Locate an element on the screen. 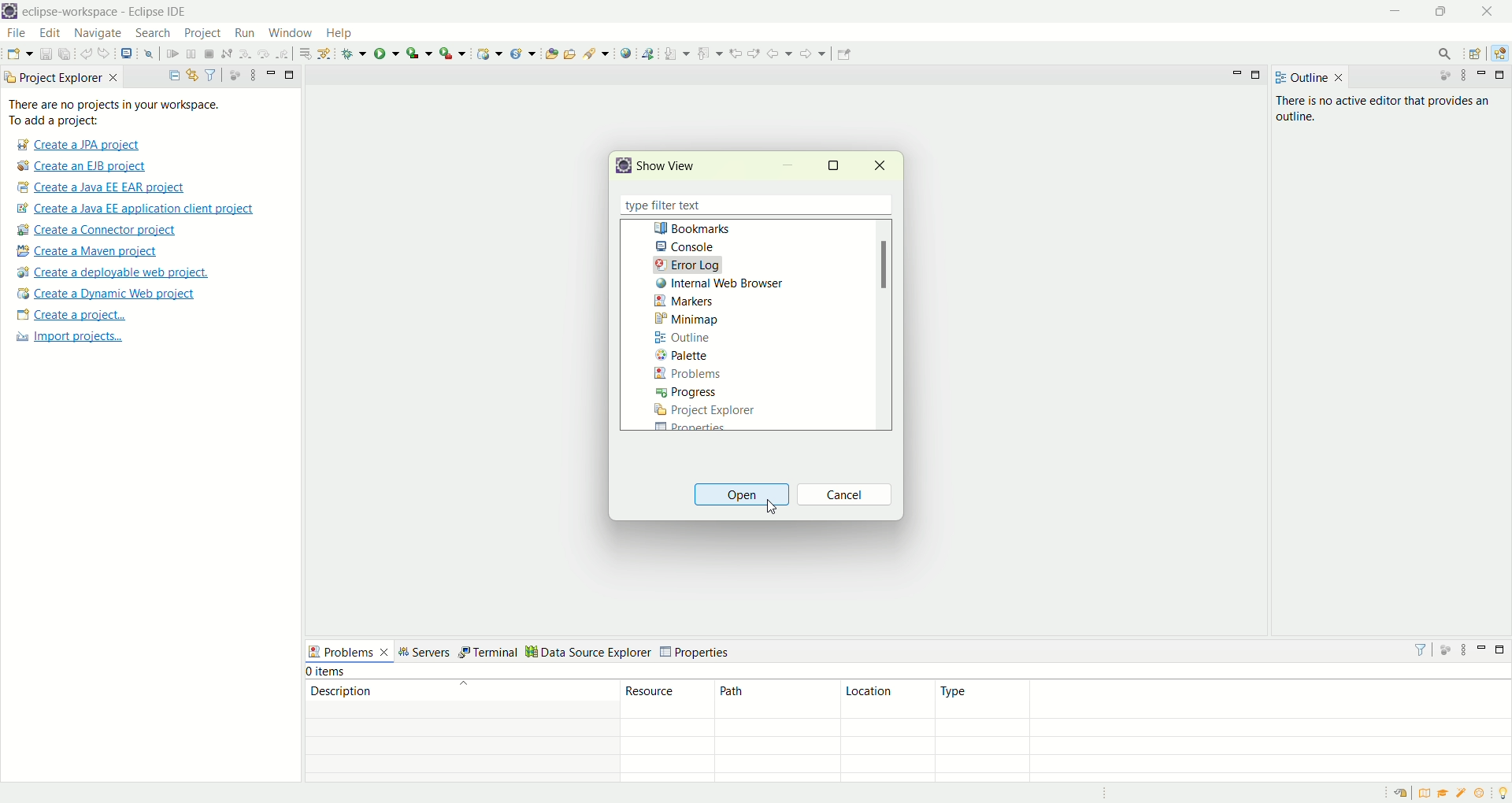 This screenshot has height=803, width=1512. terminal is located at coordinates (489, 650).